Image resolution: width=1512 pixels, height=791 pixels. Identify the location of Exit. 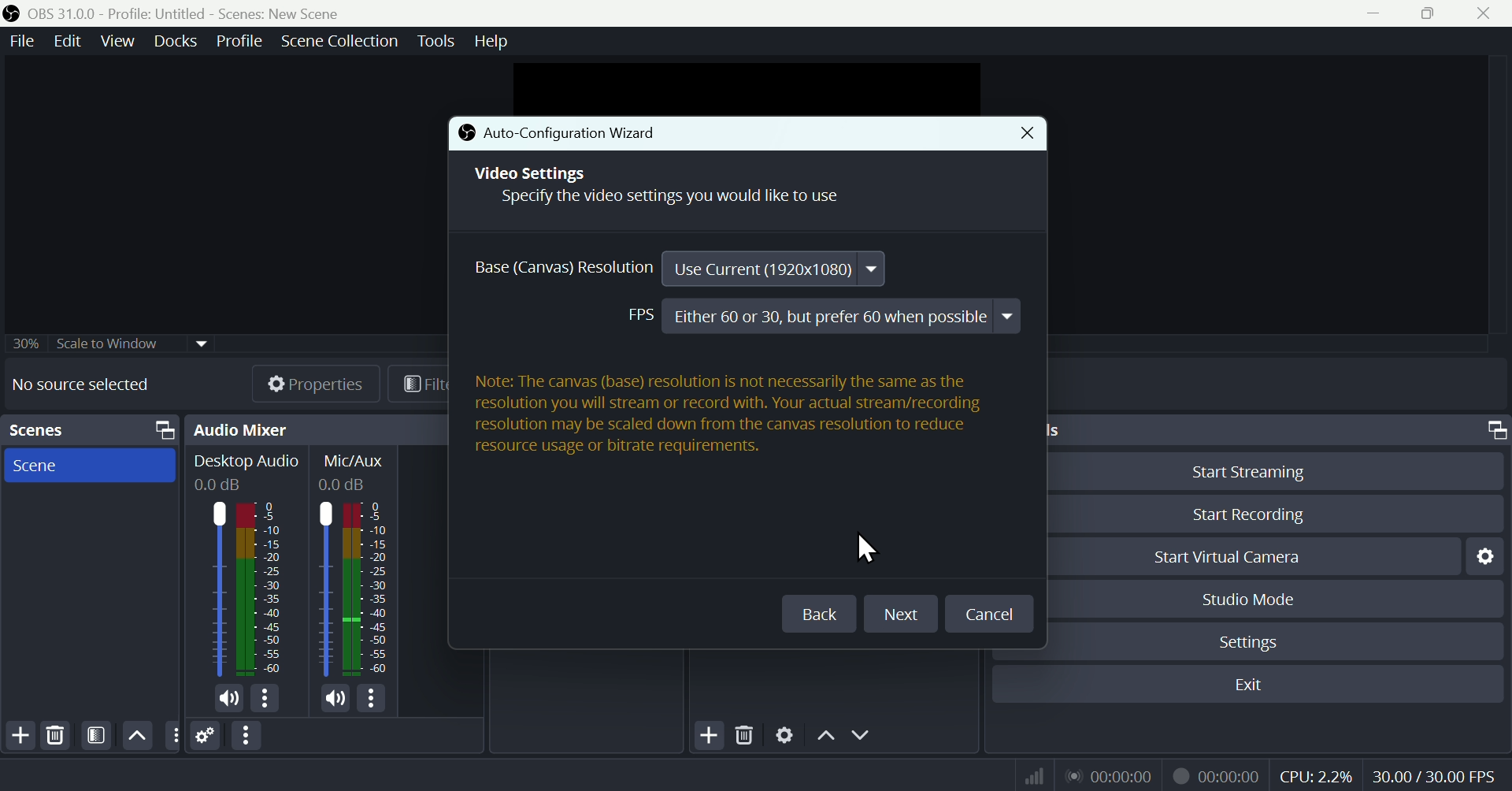
(1247, 685).